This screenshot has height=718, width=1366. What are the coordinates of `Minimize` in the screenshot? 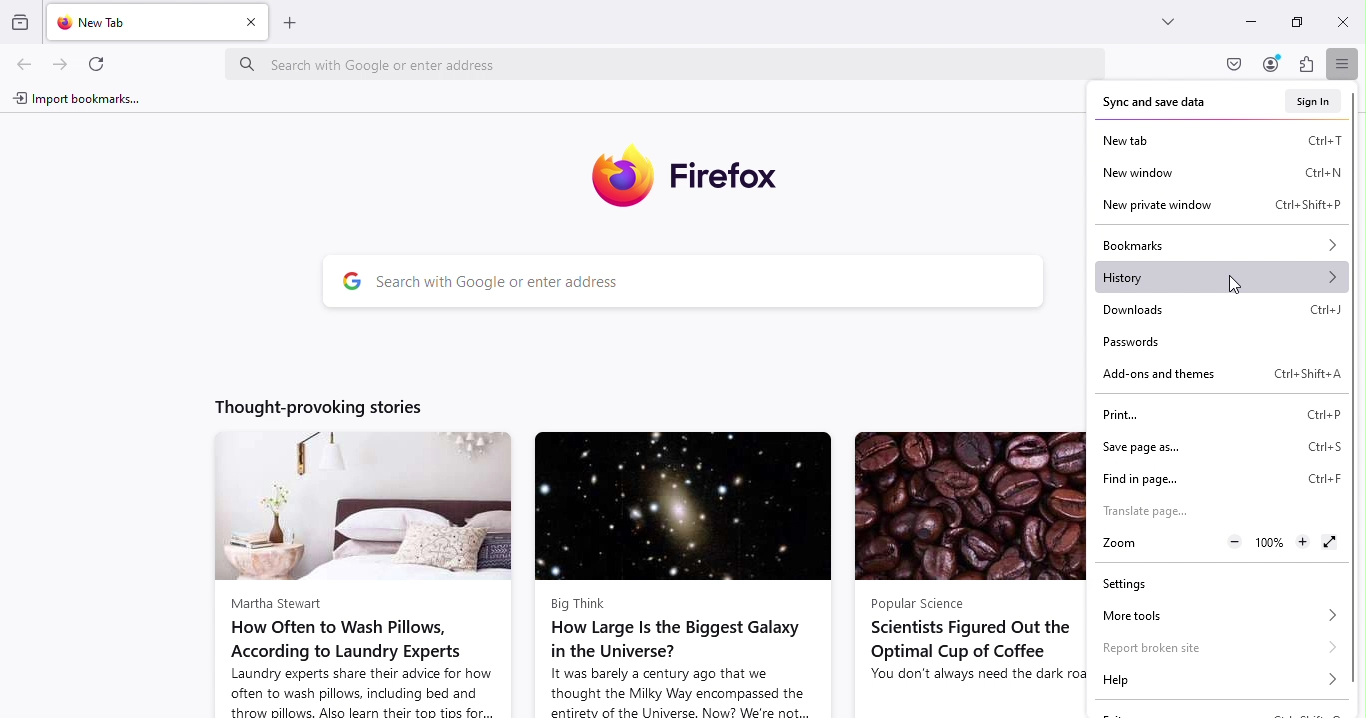 It's located at (1250, 22).